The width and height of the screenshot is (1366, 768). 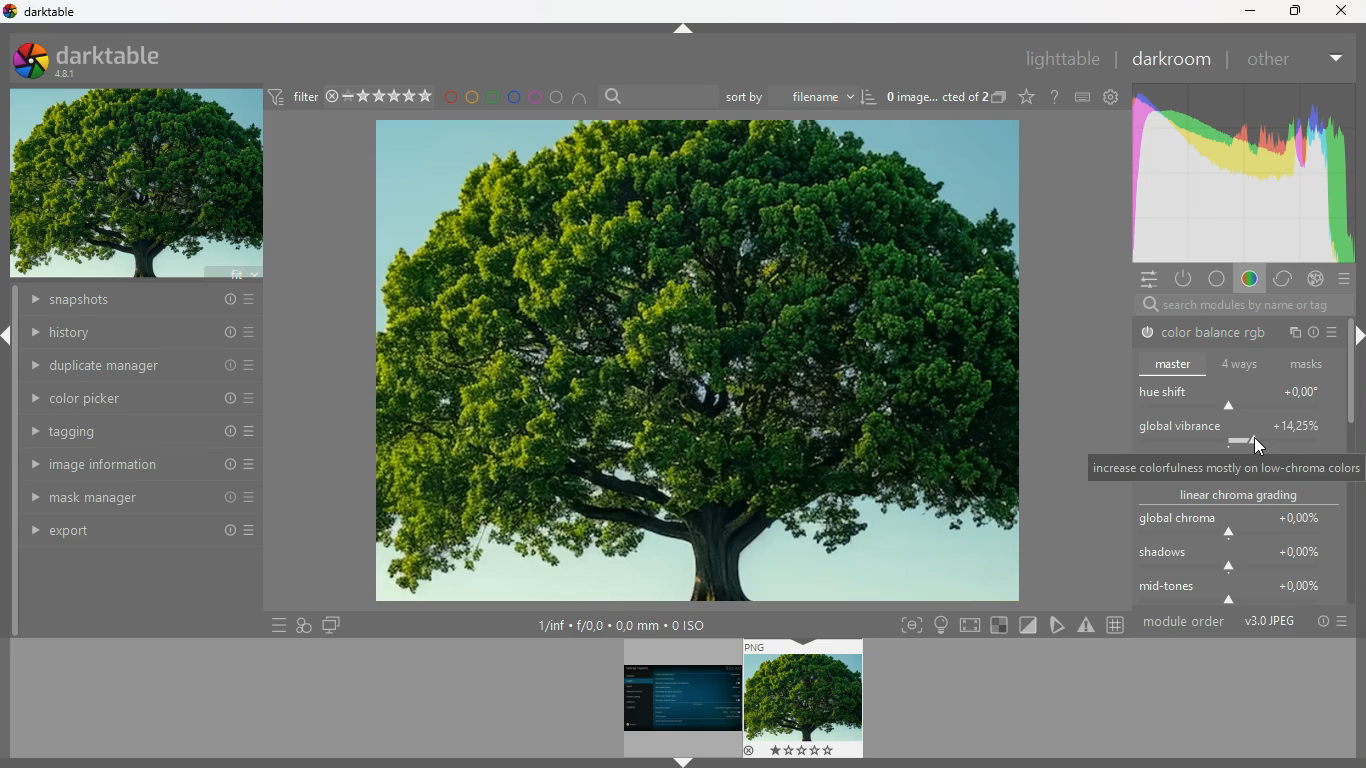 I want to click on mask manager, so click(x=141, y=496).